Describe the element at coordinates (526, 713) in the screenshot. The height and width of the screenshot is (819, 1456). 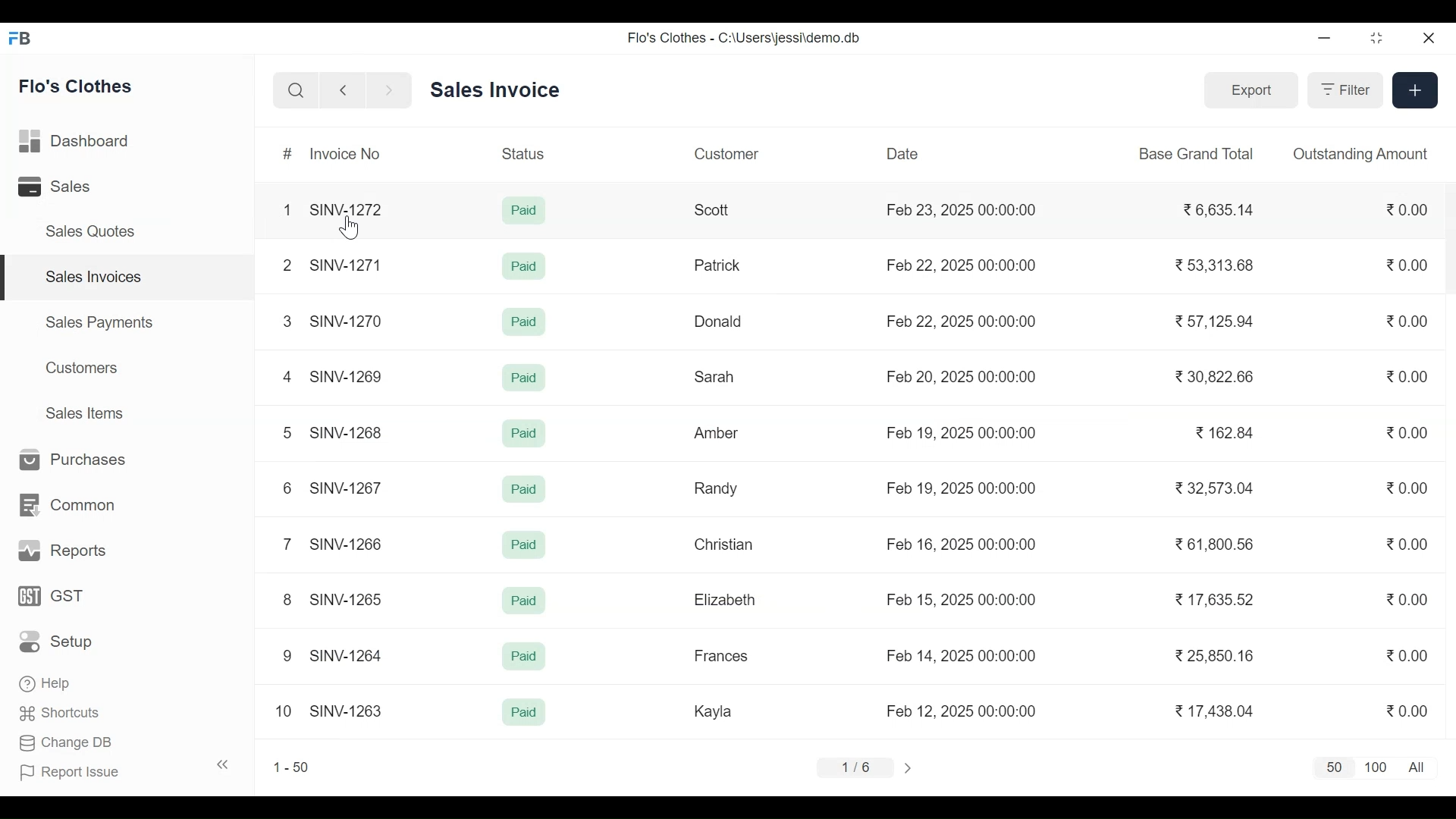
I see `Paid` at that location.